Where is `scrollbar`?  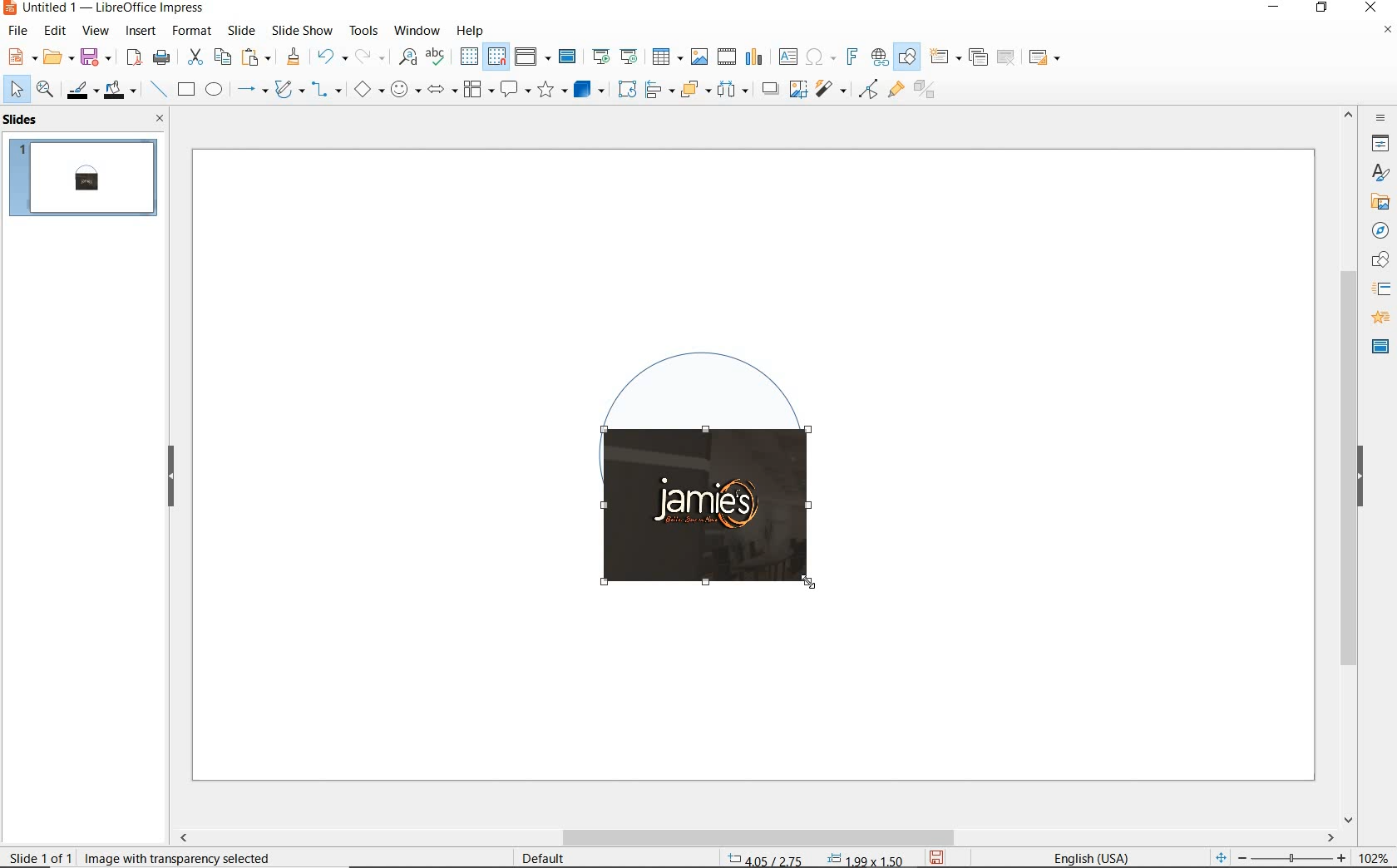 scrollbar is located at coordinates (1349, 465).